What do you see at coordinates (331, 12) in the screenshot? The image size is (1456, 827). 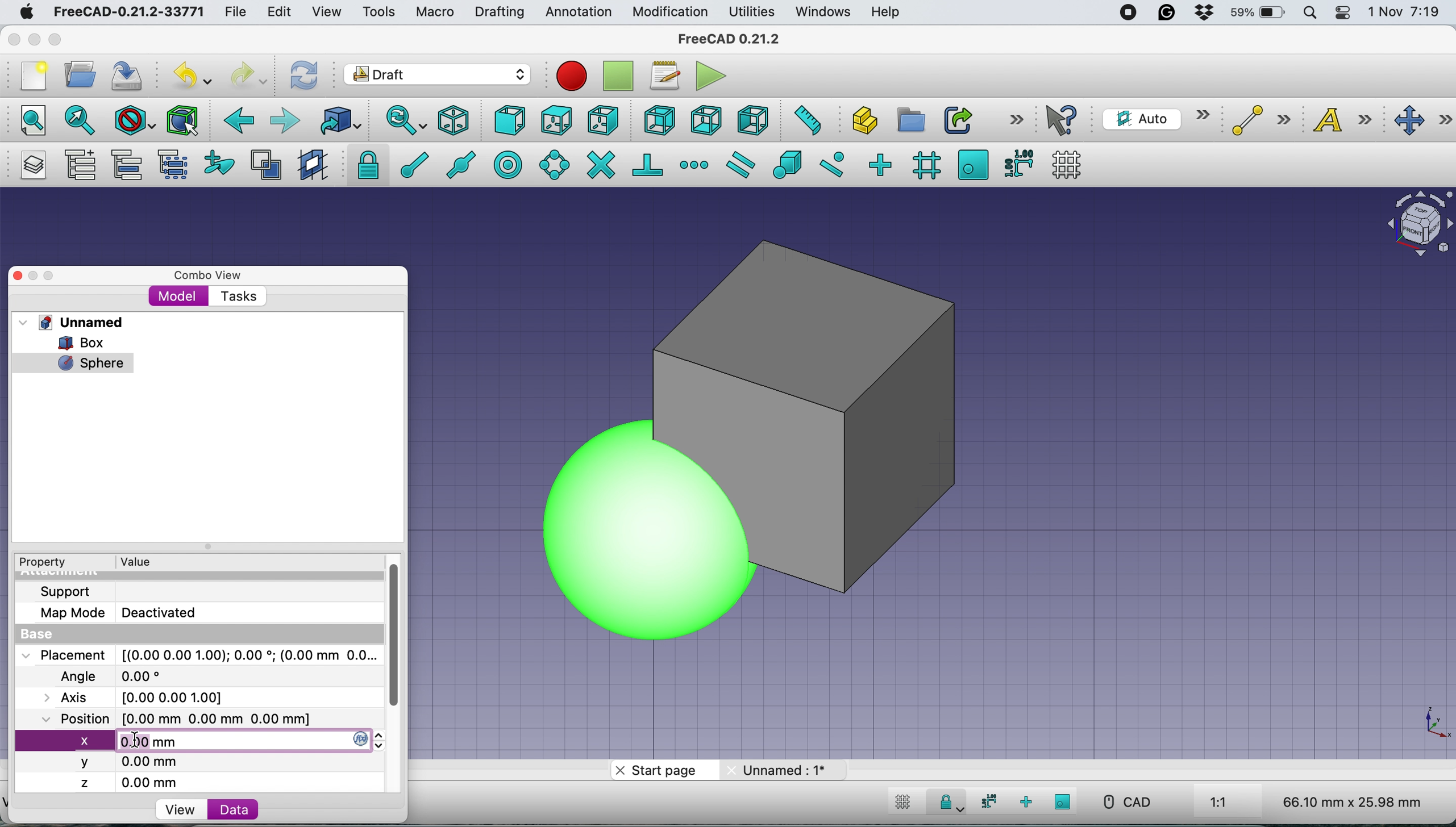 I see `view` at bounding box center [331, 12].